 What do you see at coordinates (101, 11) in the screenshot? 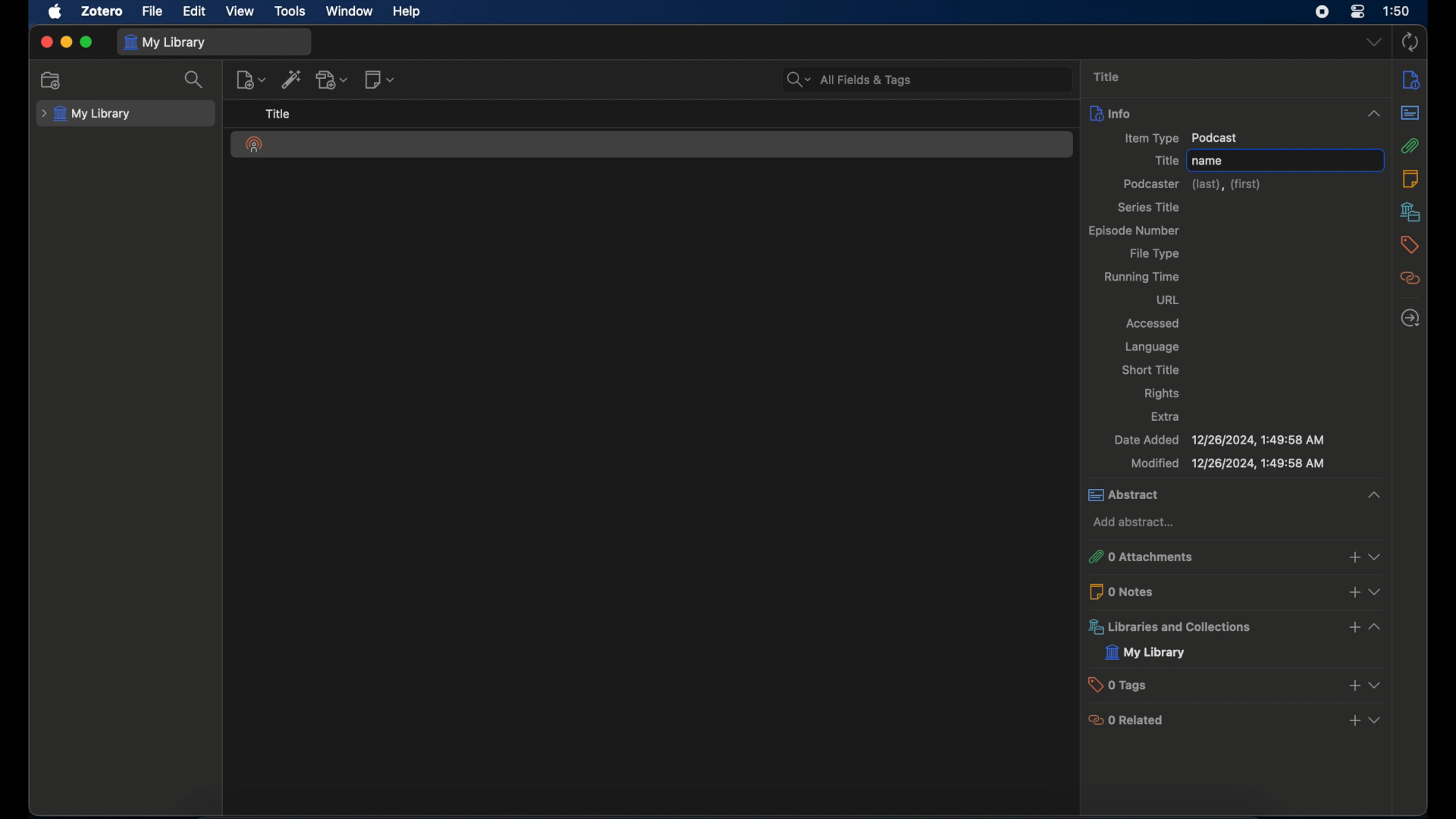
I see `zotero` at bounding box center [101, 11].